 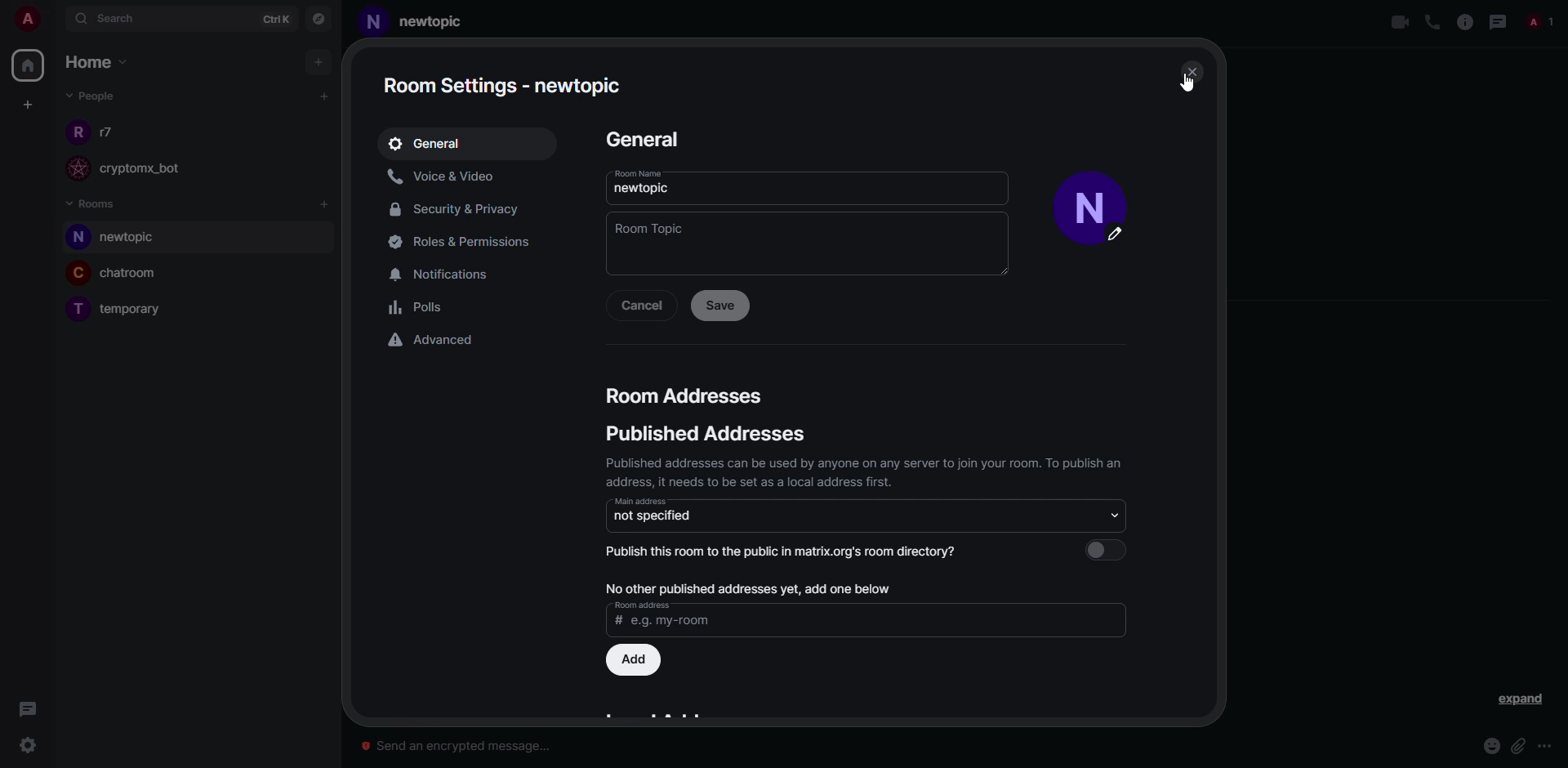 What do you see at coordinates (29, 745) in the screenshot?
I see `settings` at bounding box center [29, 745].